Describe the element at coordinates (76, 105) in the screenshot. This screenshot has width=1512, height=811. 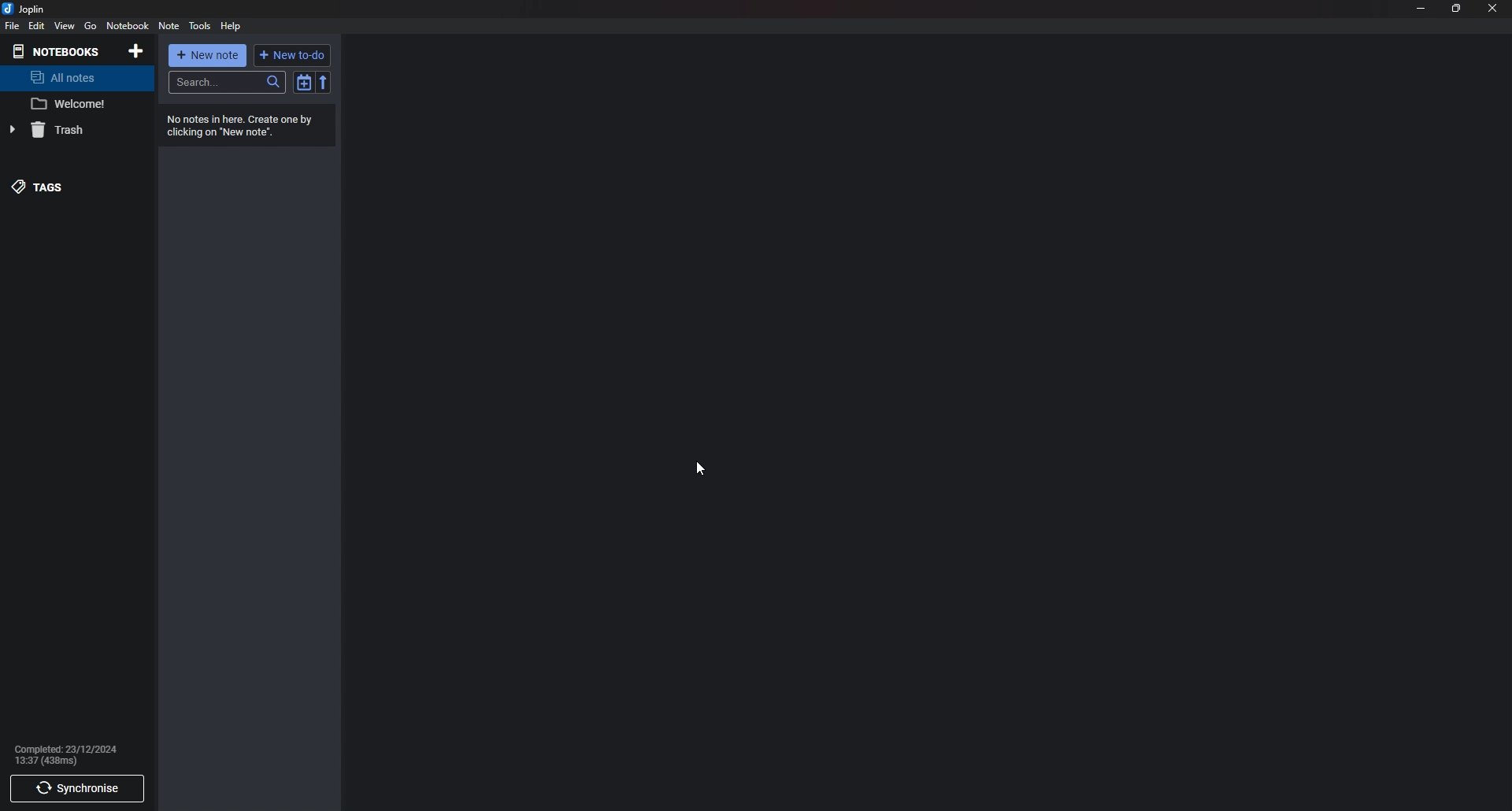
I see `Welcome` at that location.